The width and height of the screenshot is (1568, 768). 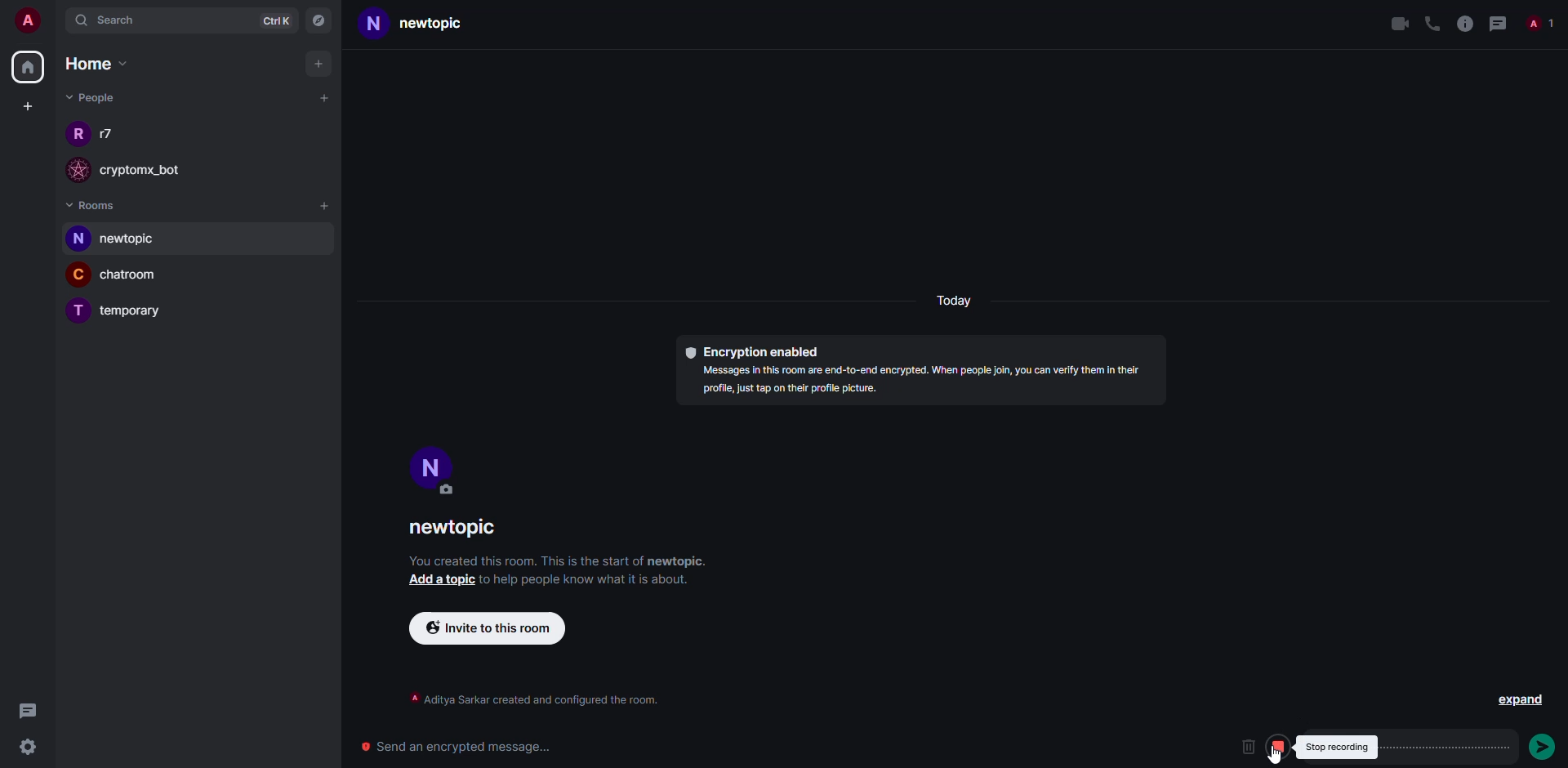 I want to click on stop recording, so click(x=1279, y=746).